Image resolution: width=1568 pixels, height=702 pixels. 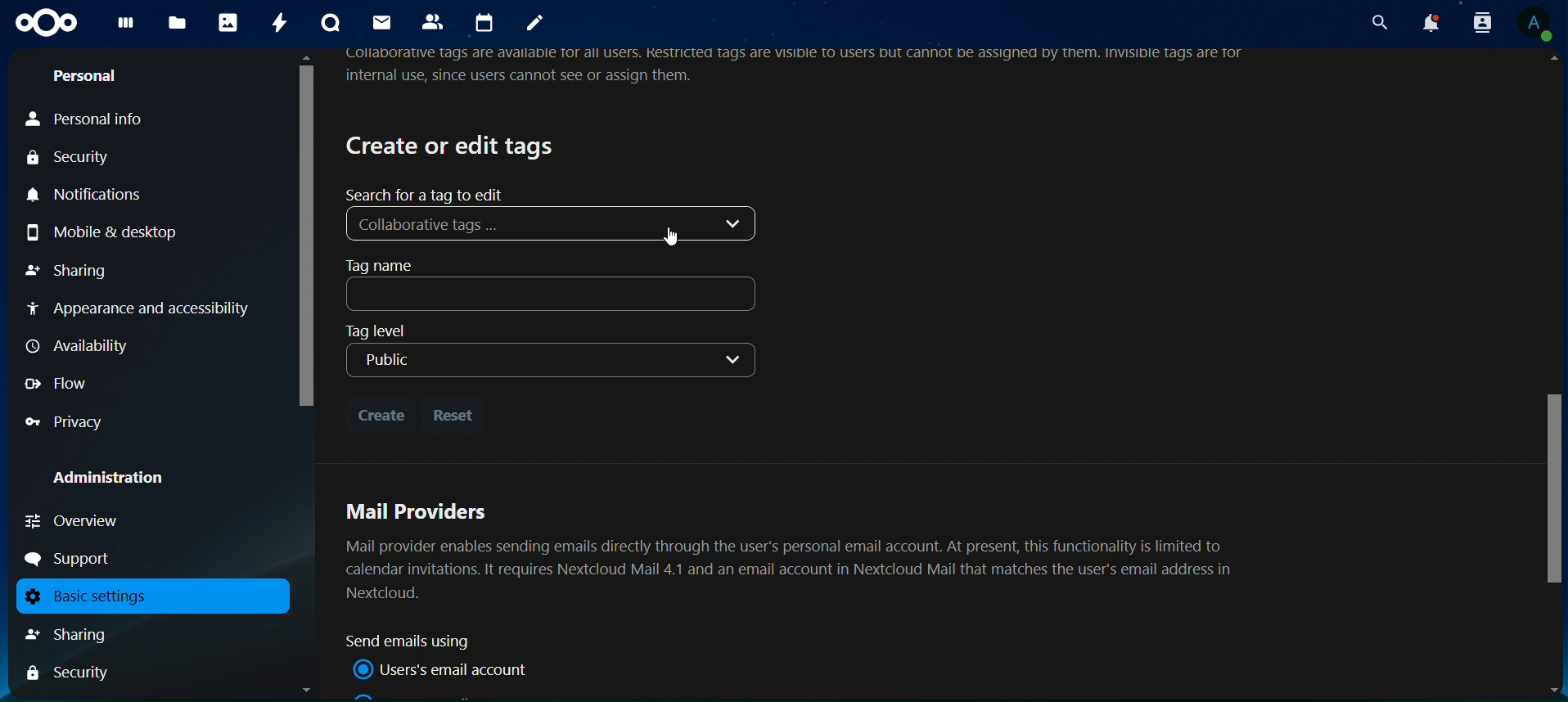 What do you see at coordinates (86, 79) in the screenshot?
I see `personal` at bounding box center [86, 79].